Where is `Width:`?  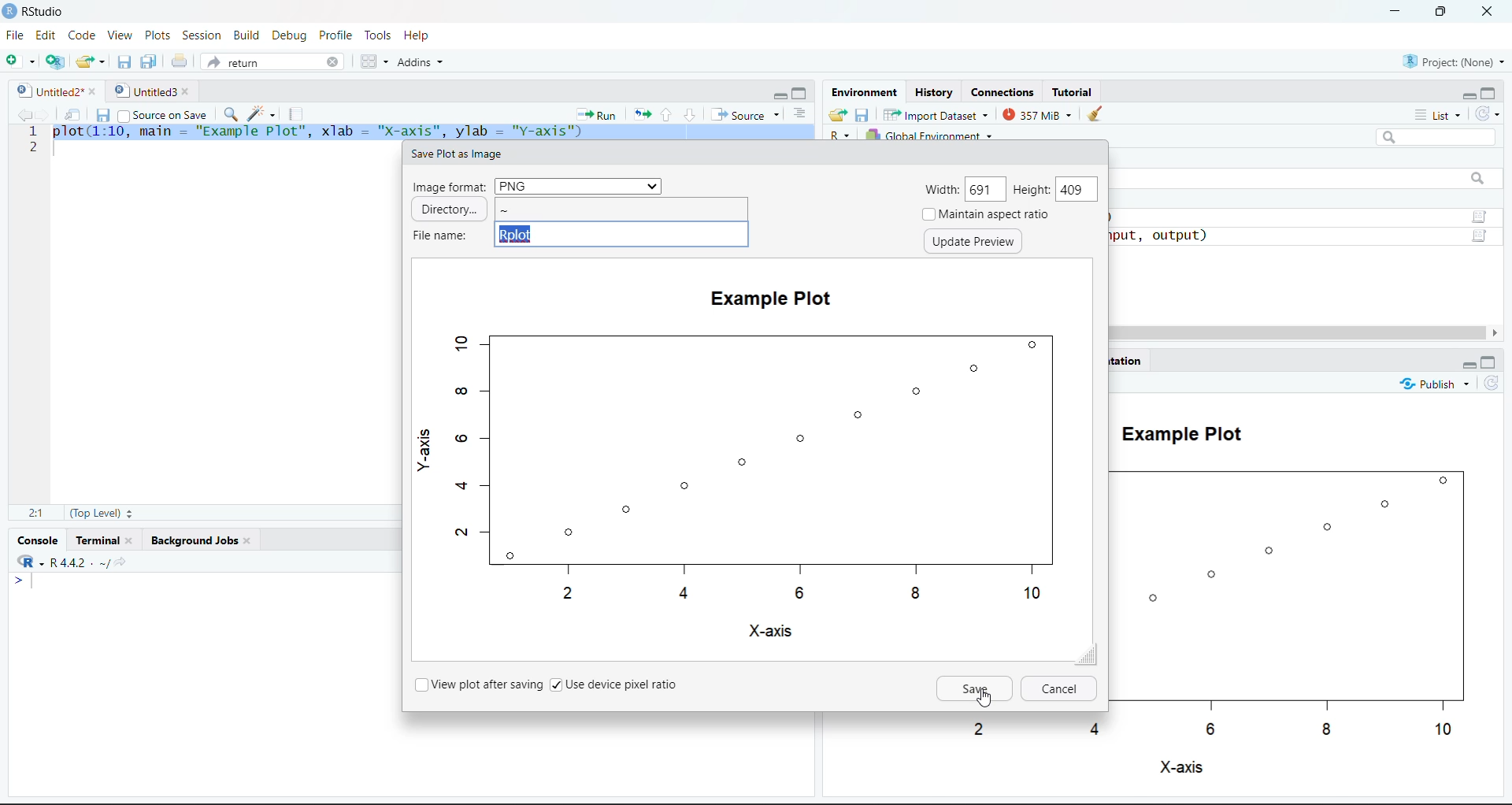 Width: is located at coordinates (943, 191).